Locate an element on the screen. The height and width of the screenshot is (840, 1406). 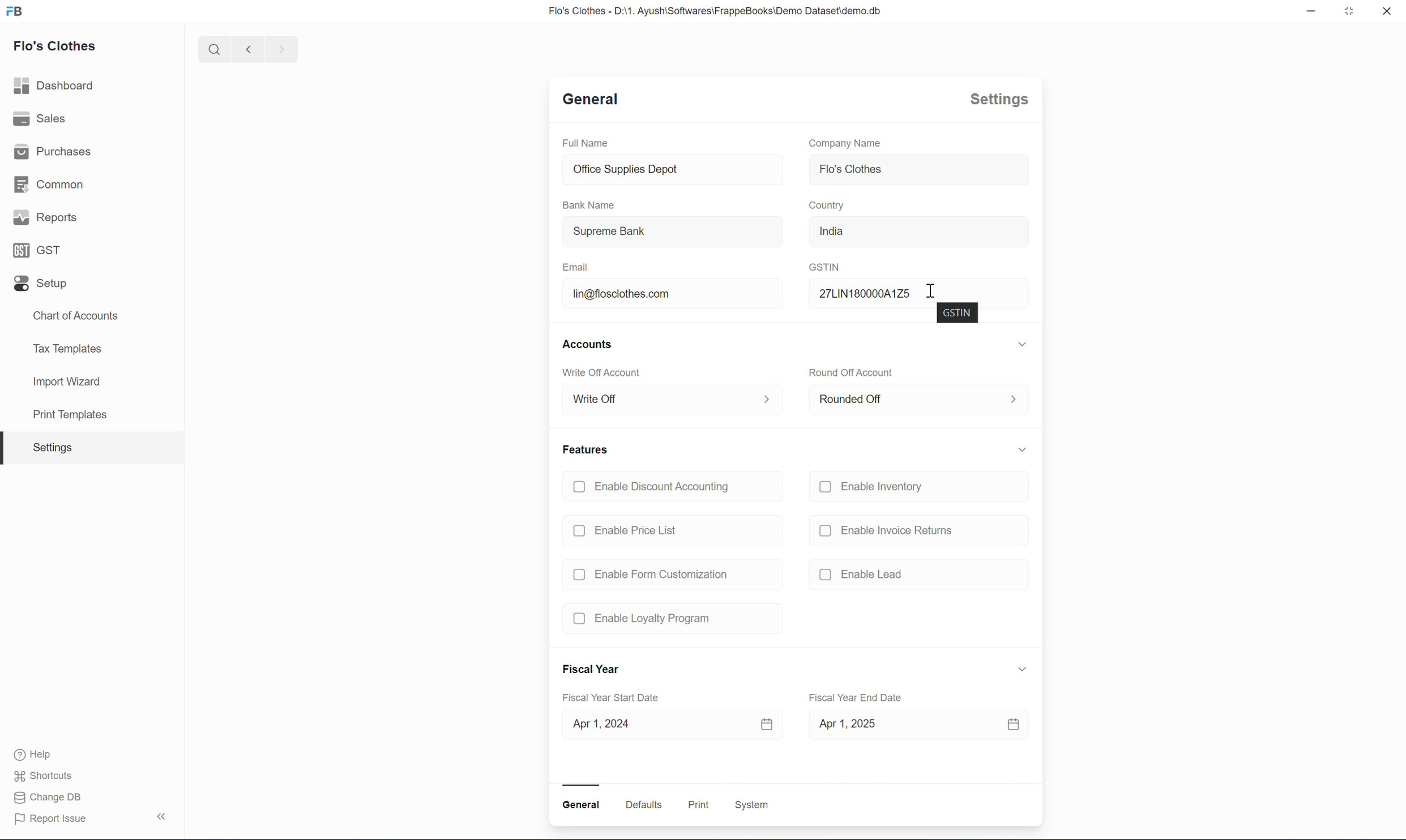
forward is located at coordinates (283, 49).